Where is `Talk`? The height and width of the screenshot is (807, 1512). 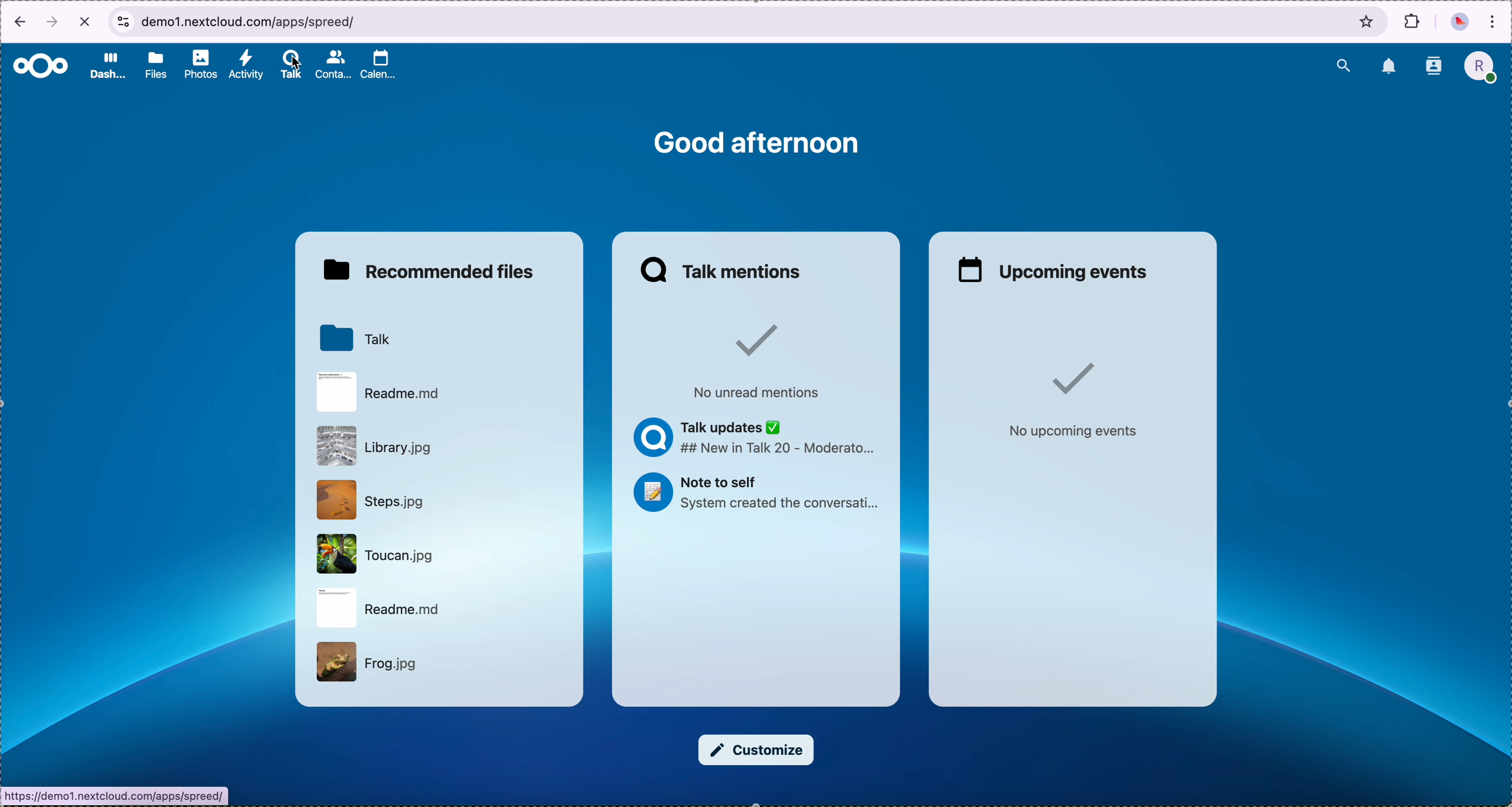 Talk is located at coordinates (434, 335).